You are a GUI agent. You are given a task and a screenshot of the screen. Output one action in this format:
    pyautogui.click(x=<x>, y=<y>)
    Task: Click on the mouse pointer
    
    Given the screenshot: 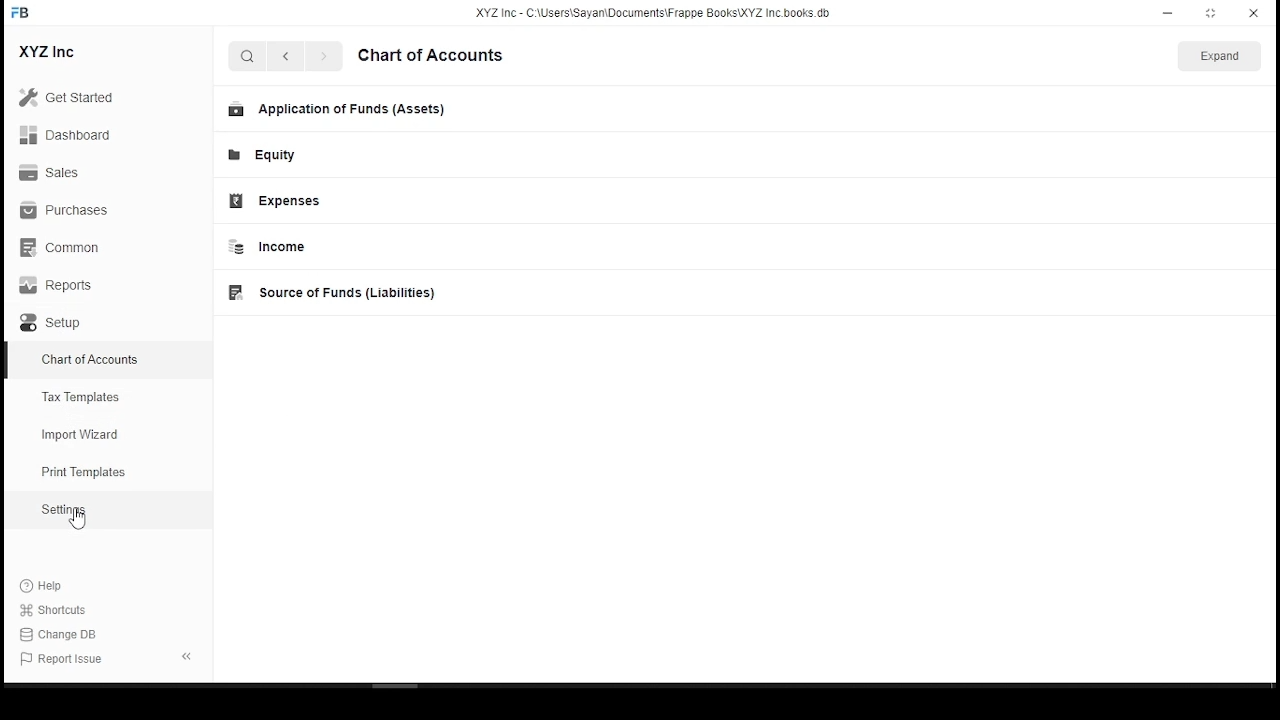 What is the action you would take?
    pyautogui.click(x=75, y=520)
    